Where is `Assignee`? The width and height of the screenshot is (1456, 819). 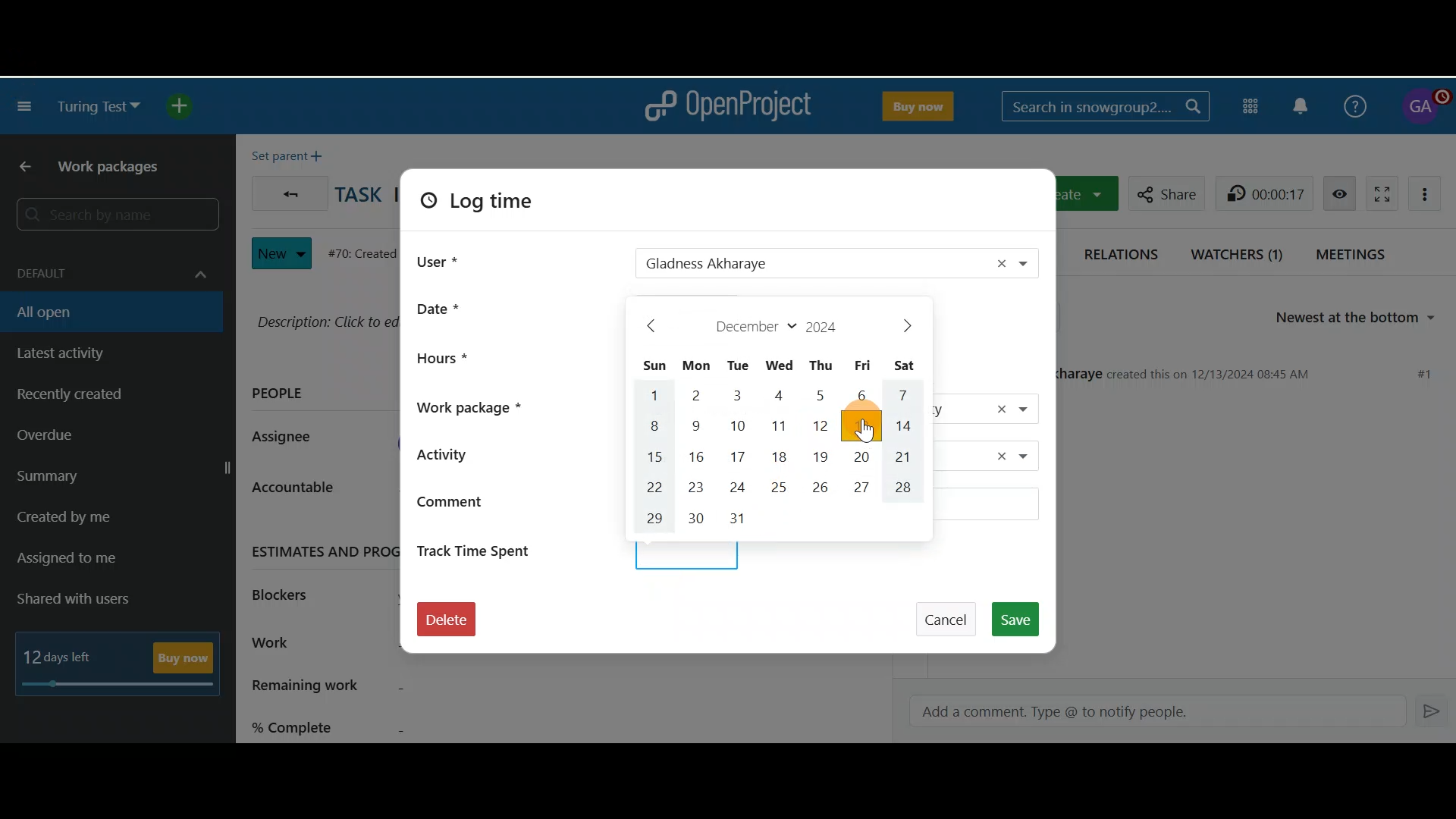
Assignee is located at coordinates (290, 438).